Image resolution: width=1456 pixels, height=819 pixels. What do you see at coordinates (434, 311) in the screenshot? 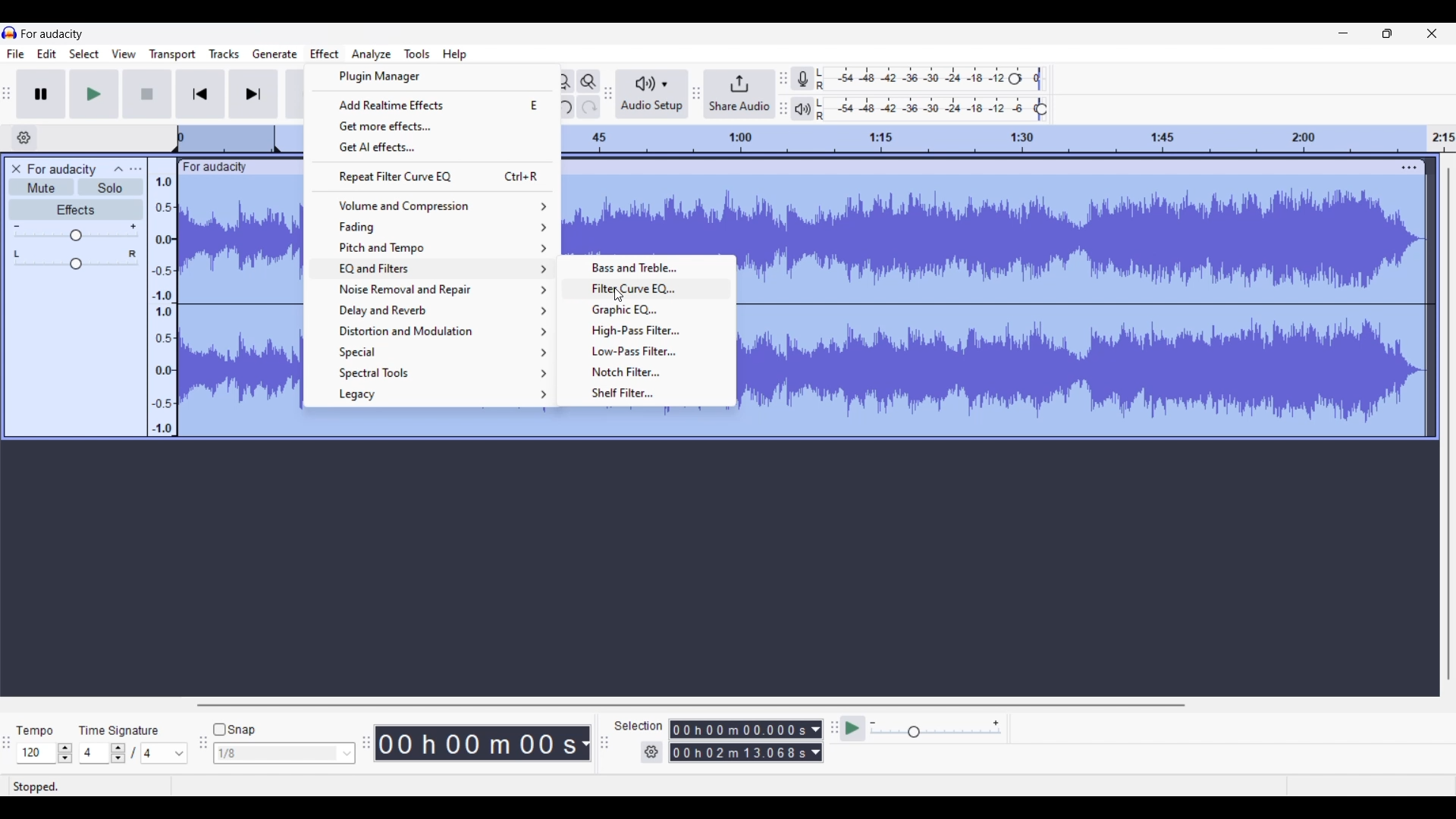
I see `Delay and reverb options` at bounding box center [434, 311].